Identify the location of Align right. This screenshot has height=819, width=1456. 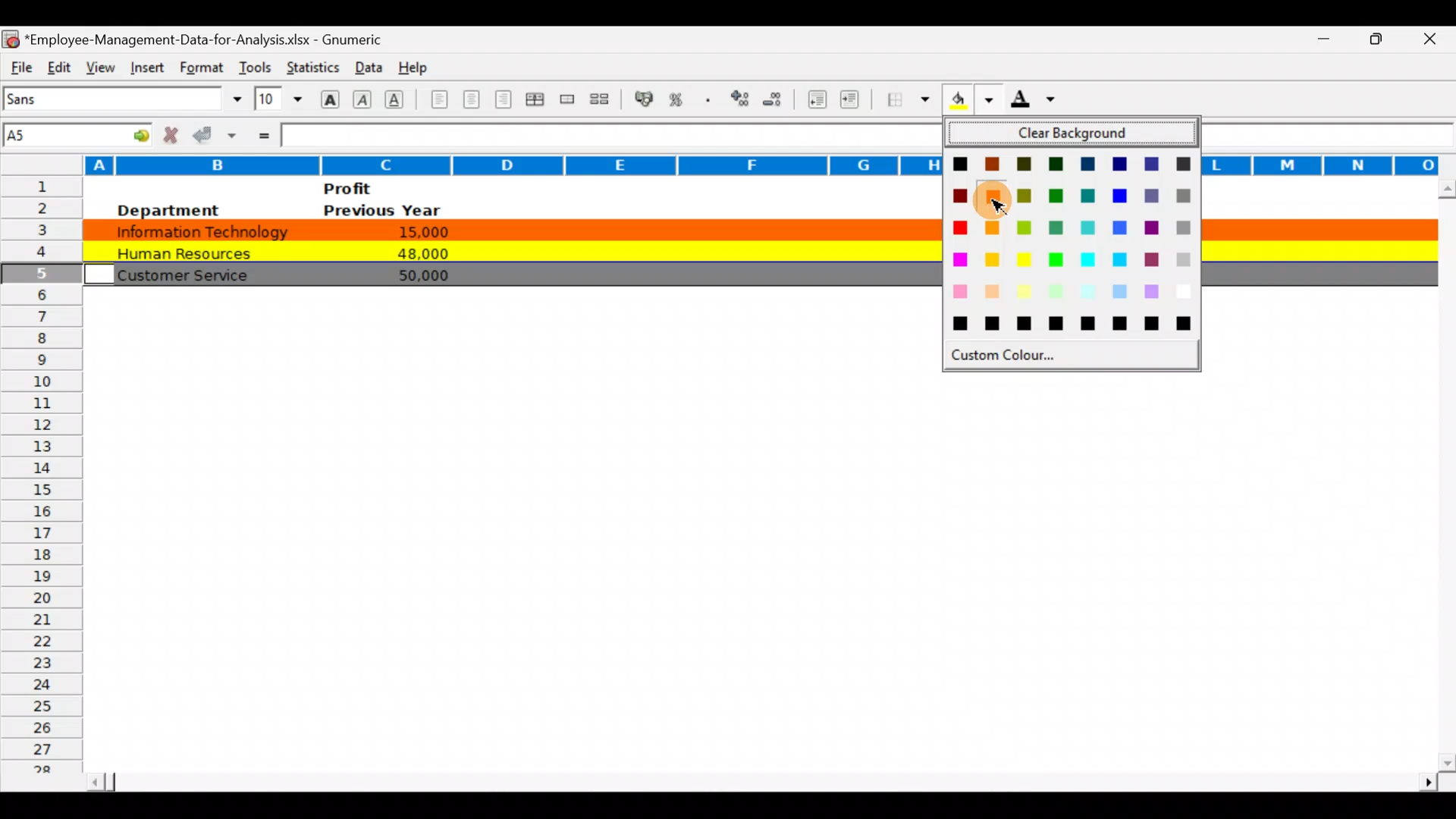
(506, 99).